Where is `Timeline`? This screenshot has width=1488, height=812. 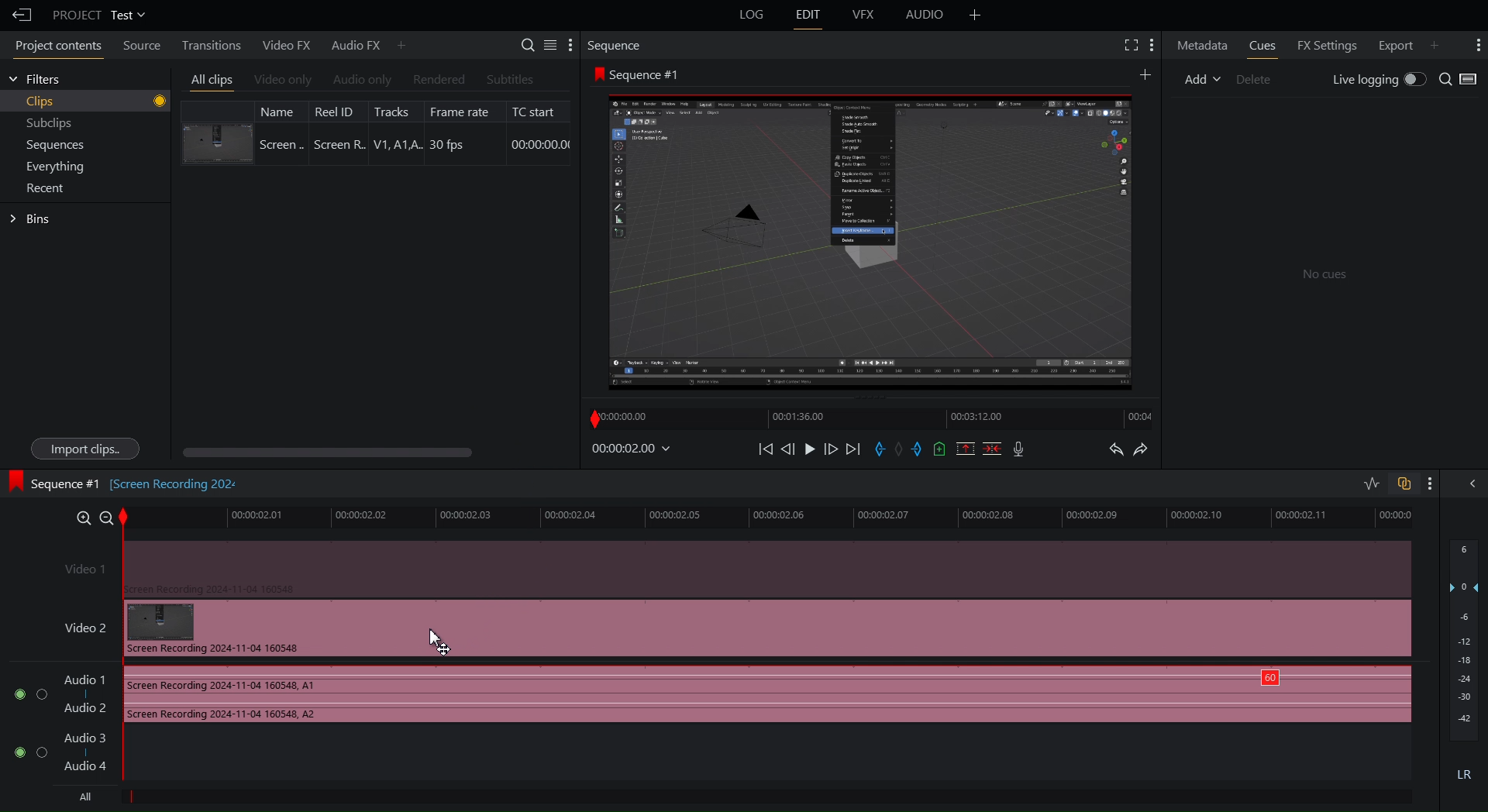 Timeline is located at coordinates (779, 517).